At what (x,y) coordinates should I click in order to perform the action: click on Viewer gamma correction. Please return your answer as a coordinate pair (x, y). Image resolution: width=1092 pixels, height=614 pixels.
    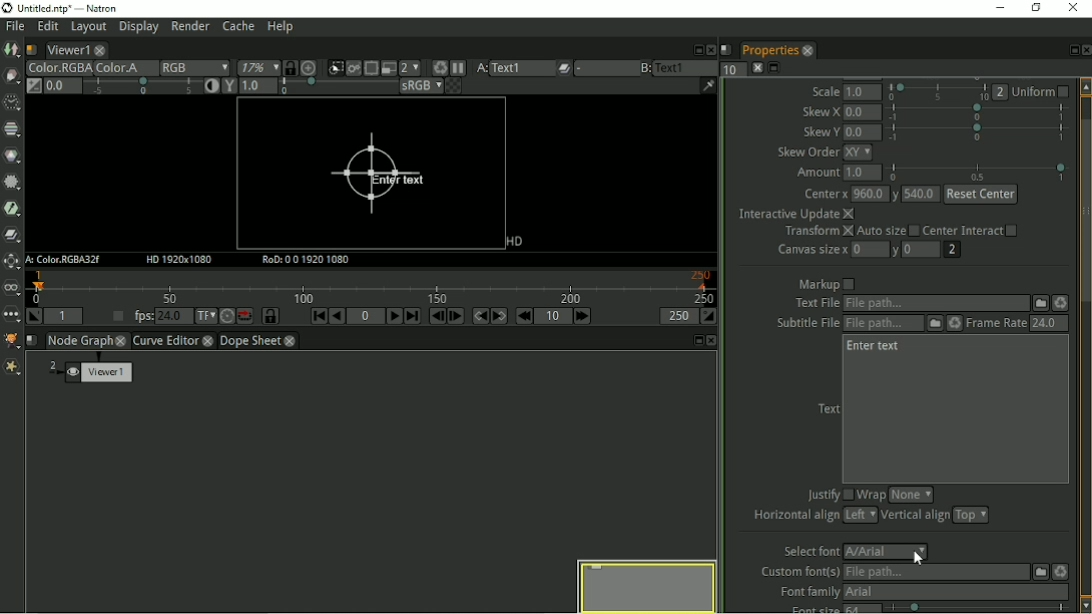
    Looking at the image, I should click on (228, 87).